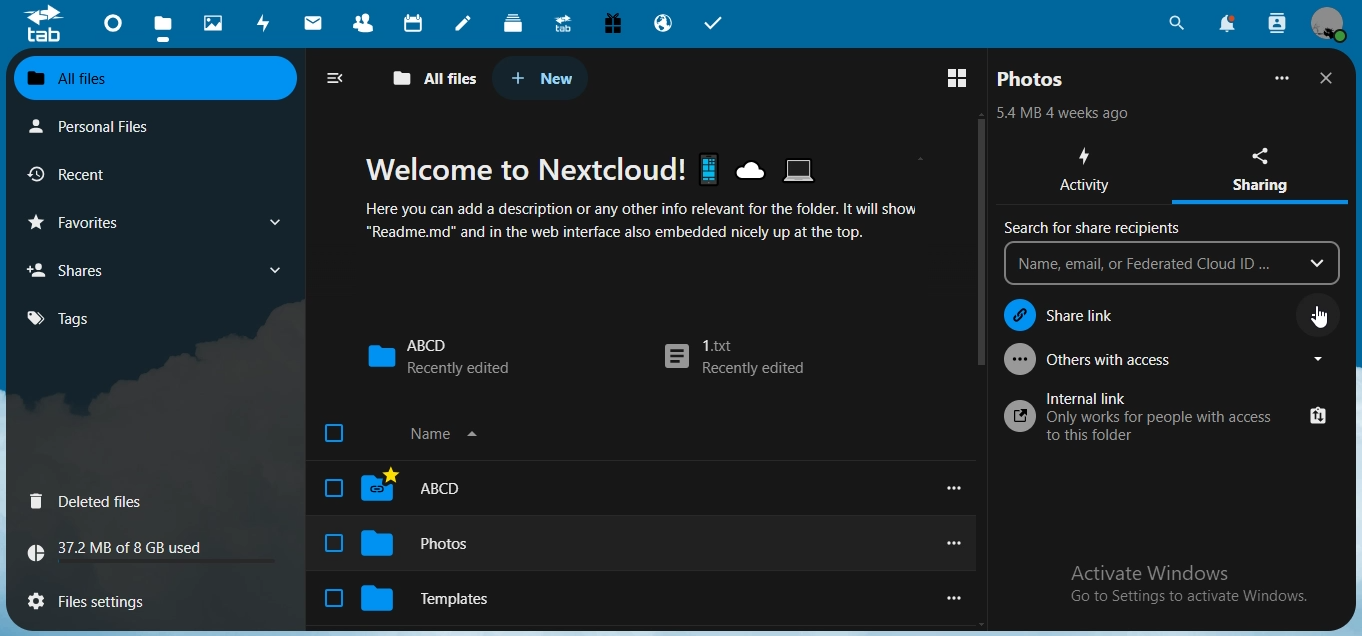 The image size is (1362, 636). I want to click on internal link, so click(1166, 416).